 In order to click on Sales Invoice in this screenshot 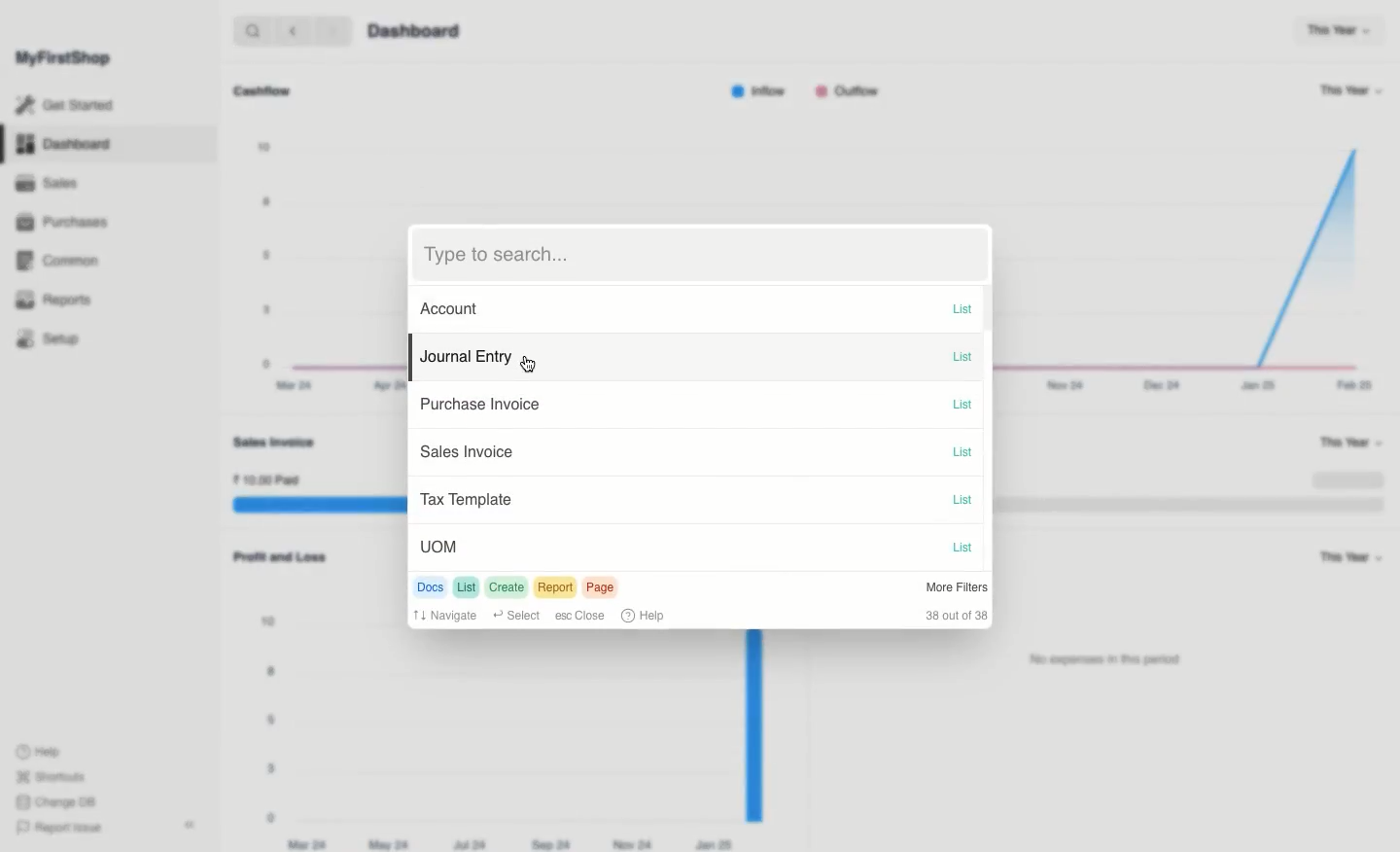, I will do `click(466, 451)`.